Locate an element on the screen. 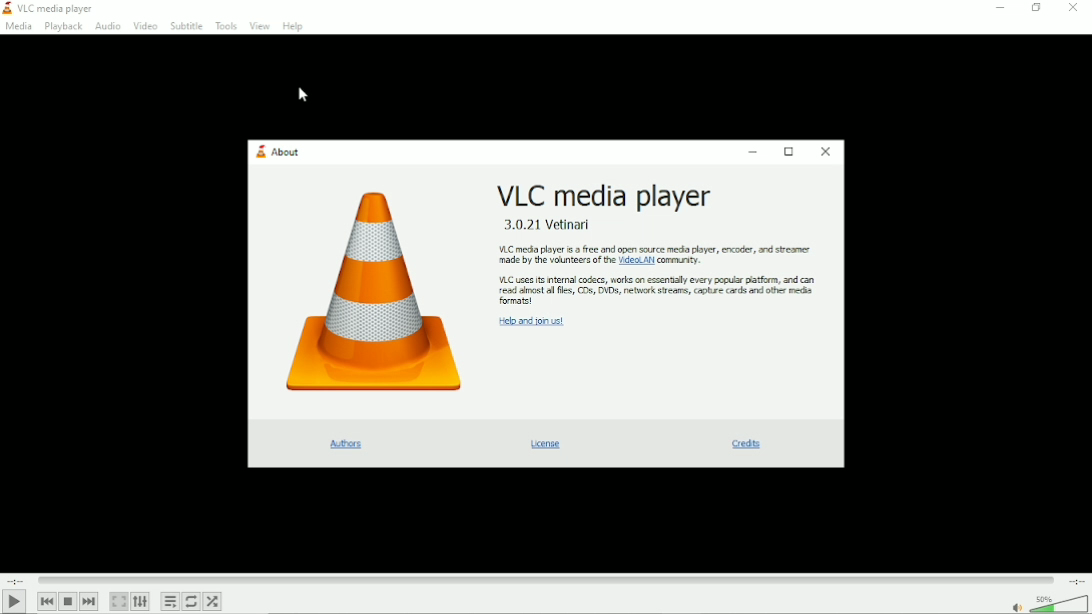 The height and width of the screenshot is (614, 1092). Show extended settings is located at coordinates (140, 601).